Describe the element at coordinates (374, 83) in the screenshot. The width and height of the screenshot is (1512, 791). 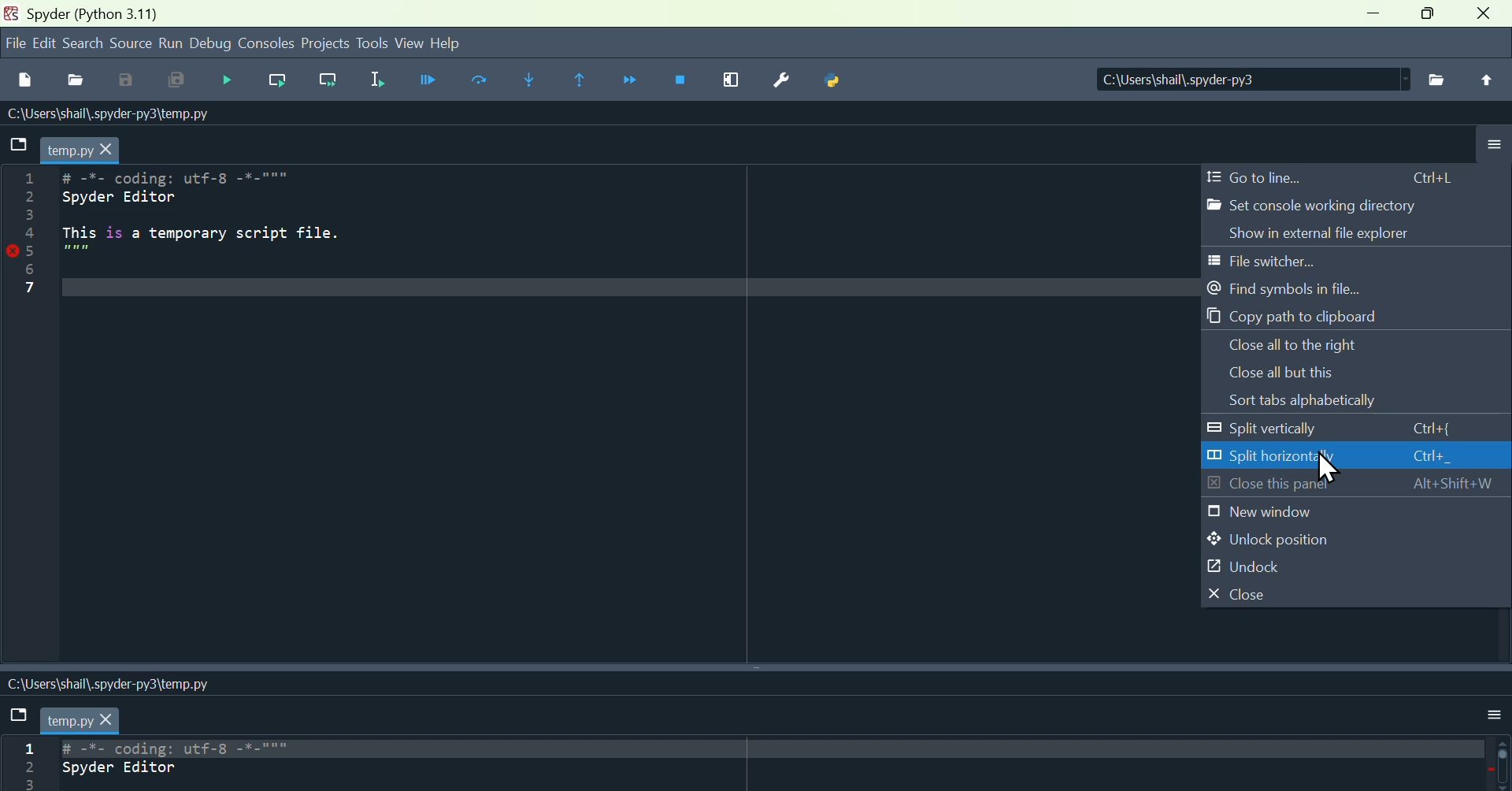
I see `Run selection` at that location.